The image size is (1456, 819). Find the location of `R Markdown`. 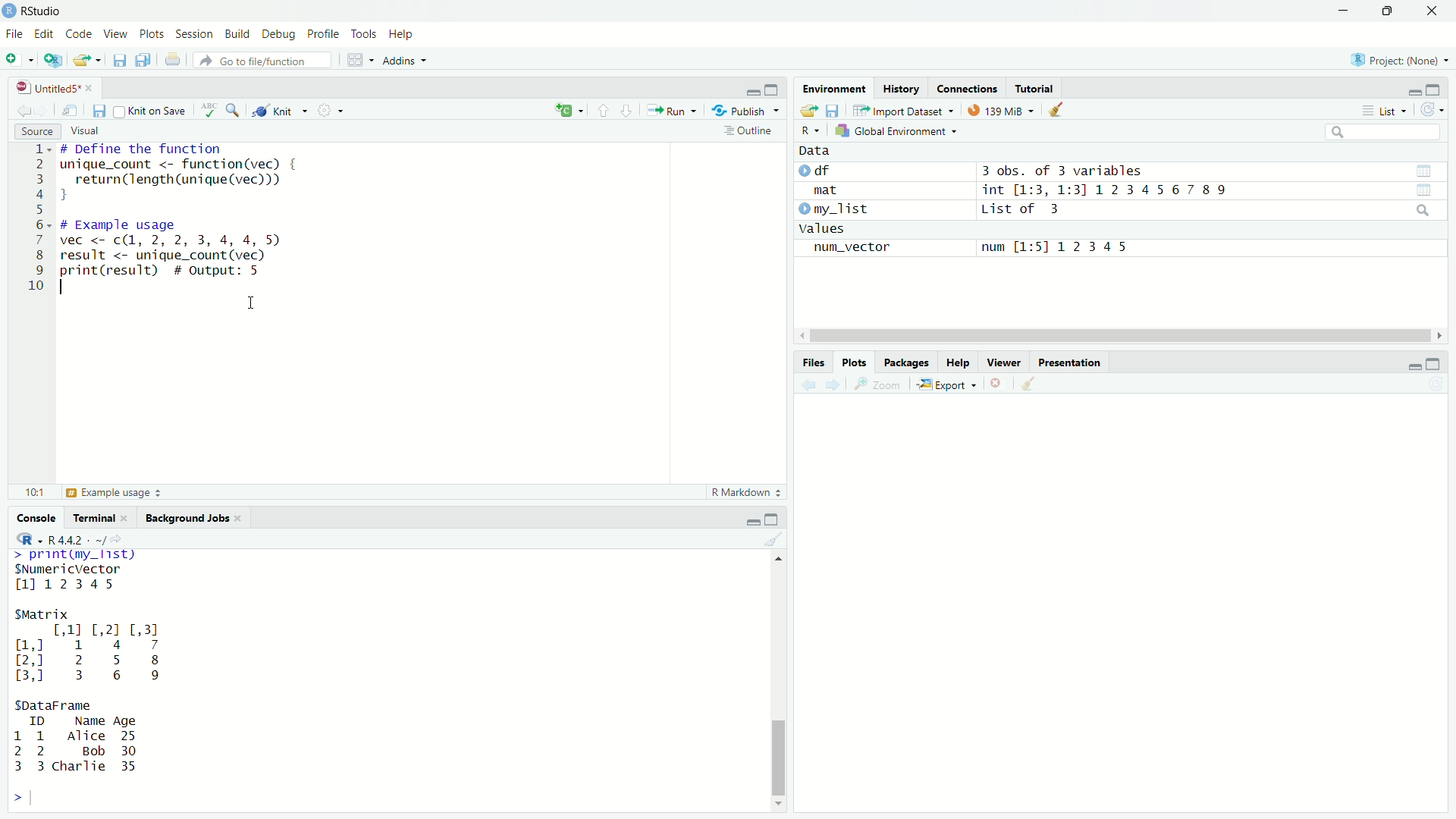

R Markdown is located at coordinates (742, 494).